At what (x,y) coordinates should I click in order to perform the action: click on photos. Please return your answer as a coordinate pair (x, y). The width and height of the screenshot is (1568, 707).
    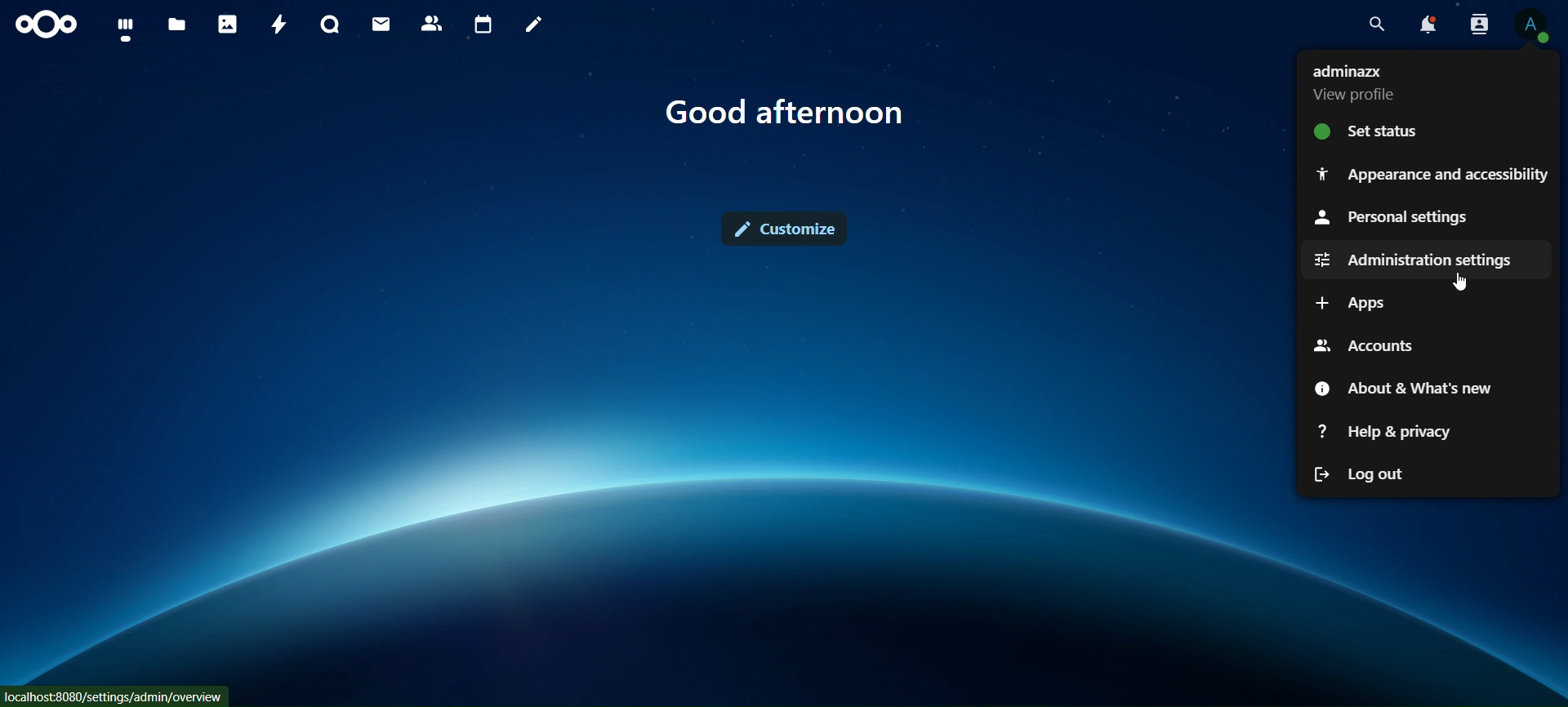
    Looking at the image, I should click on (225, 23).